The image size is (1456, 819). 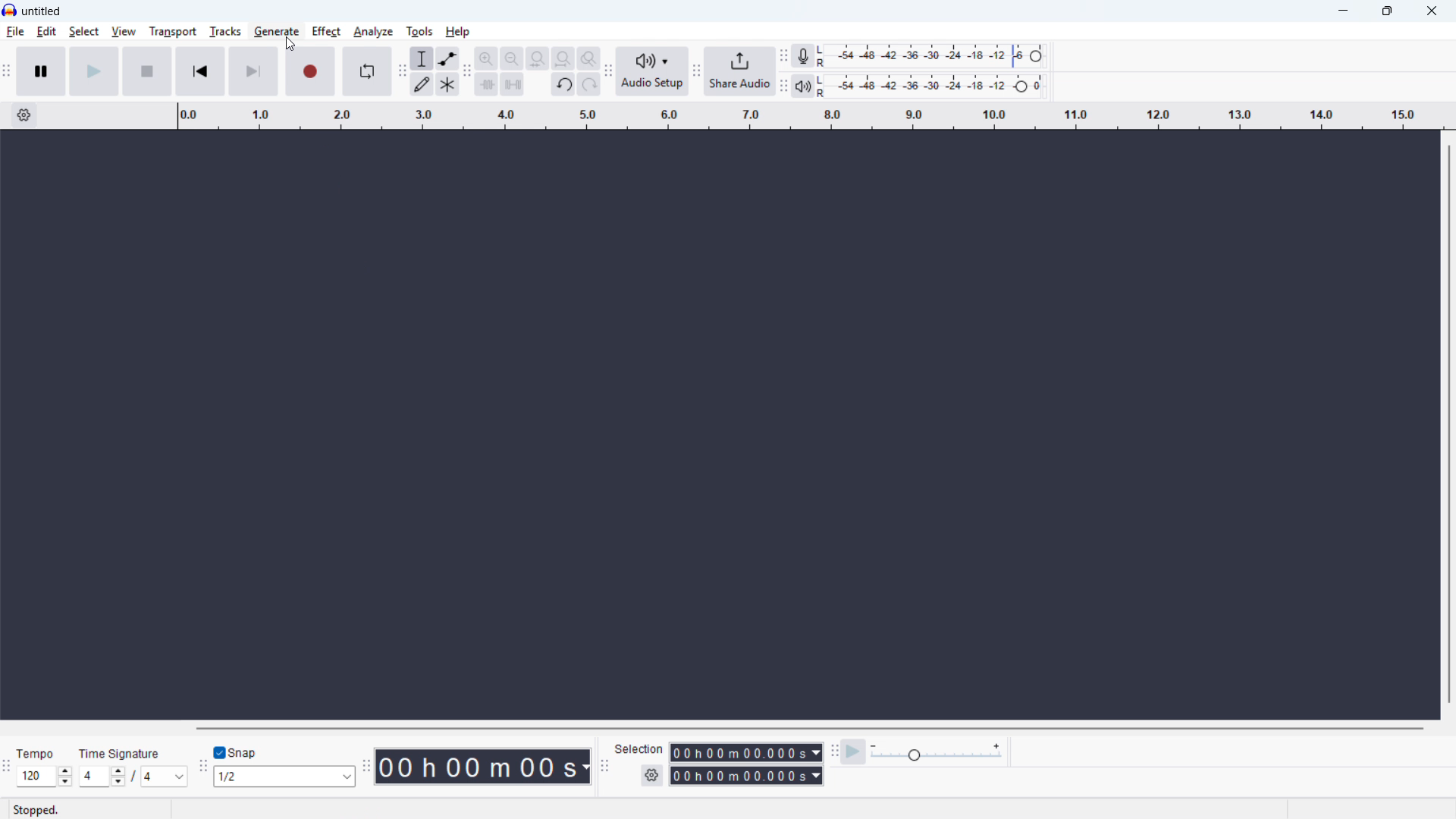 What do you see at coordinates (564, 58) in the screenshot?
I see `Fit project to width ` at bounding box center [564, 58].